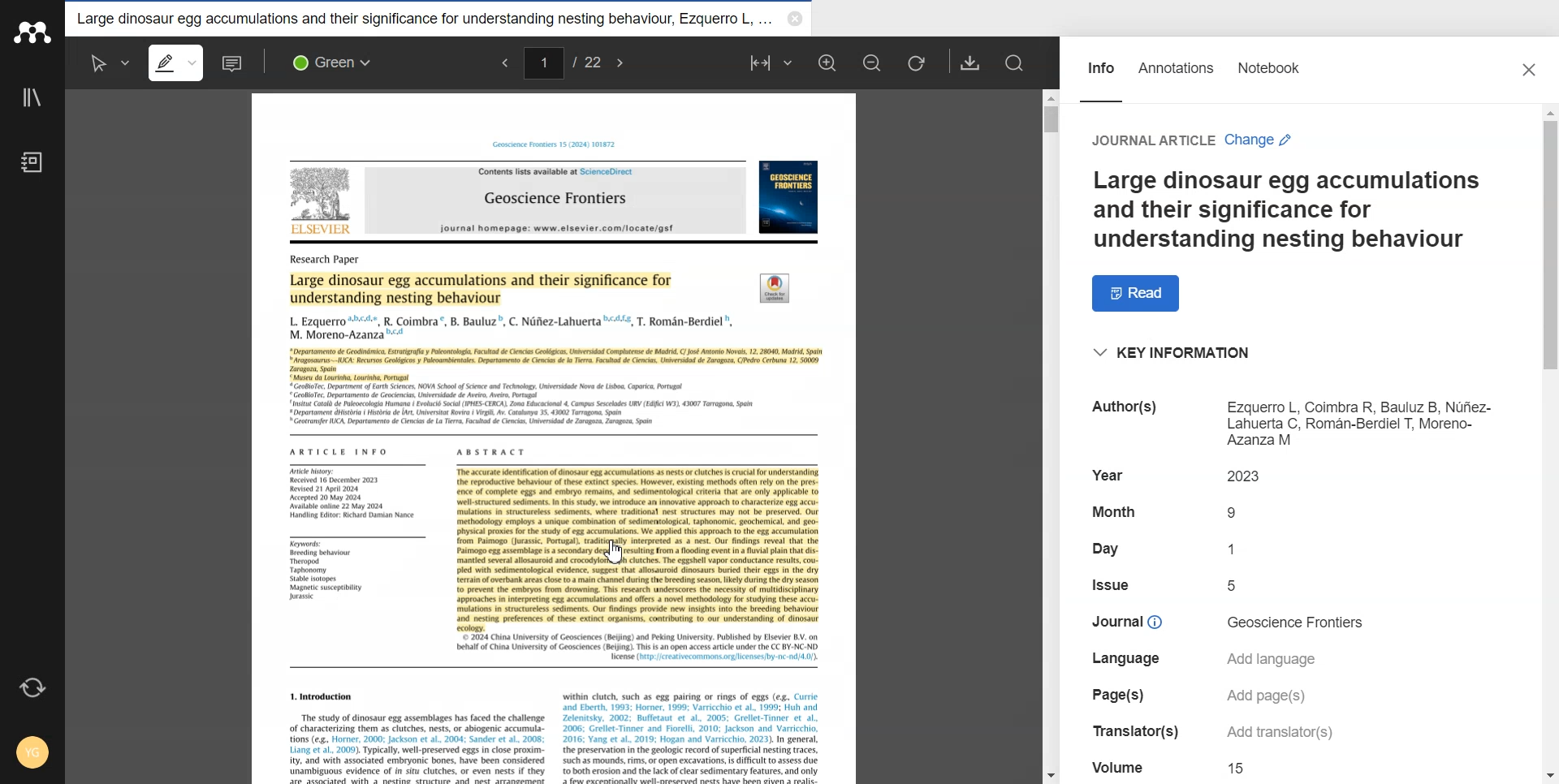  What do you see at coordinates (1362, 423) in the screenshot?
I see `text` at bounding box center [1362, 423].